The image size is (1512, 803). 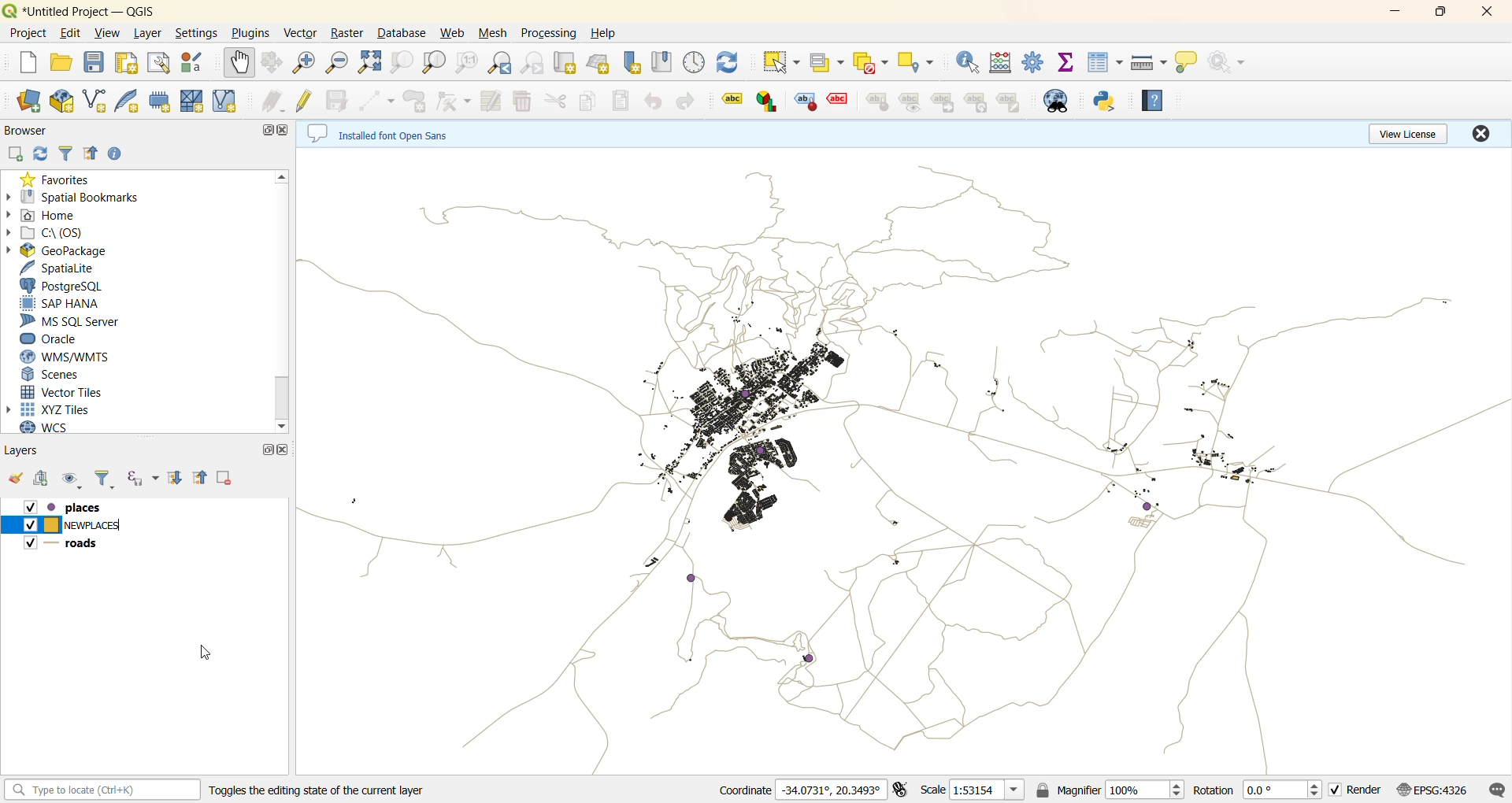 What do you see at coordinates (56, 213) in the screenshot?
I see `home` at bounding box center [56, 213].